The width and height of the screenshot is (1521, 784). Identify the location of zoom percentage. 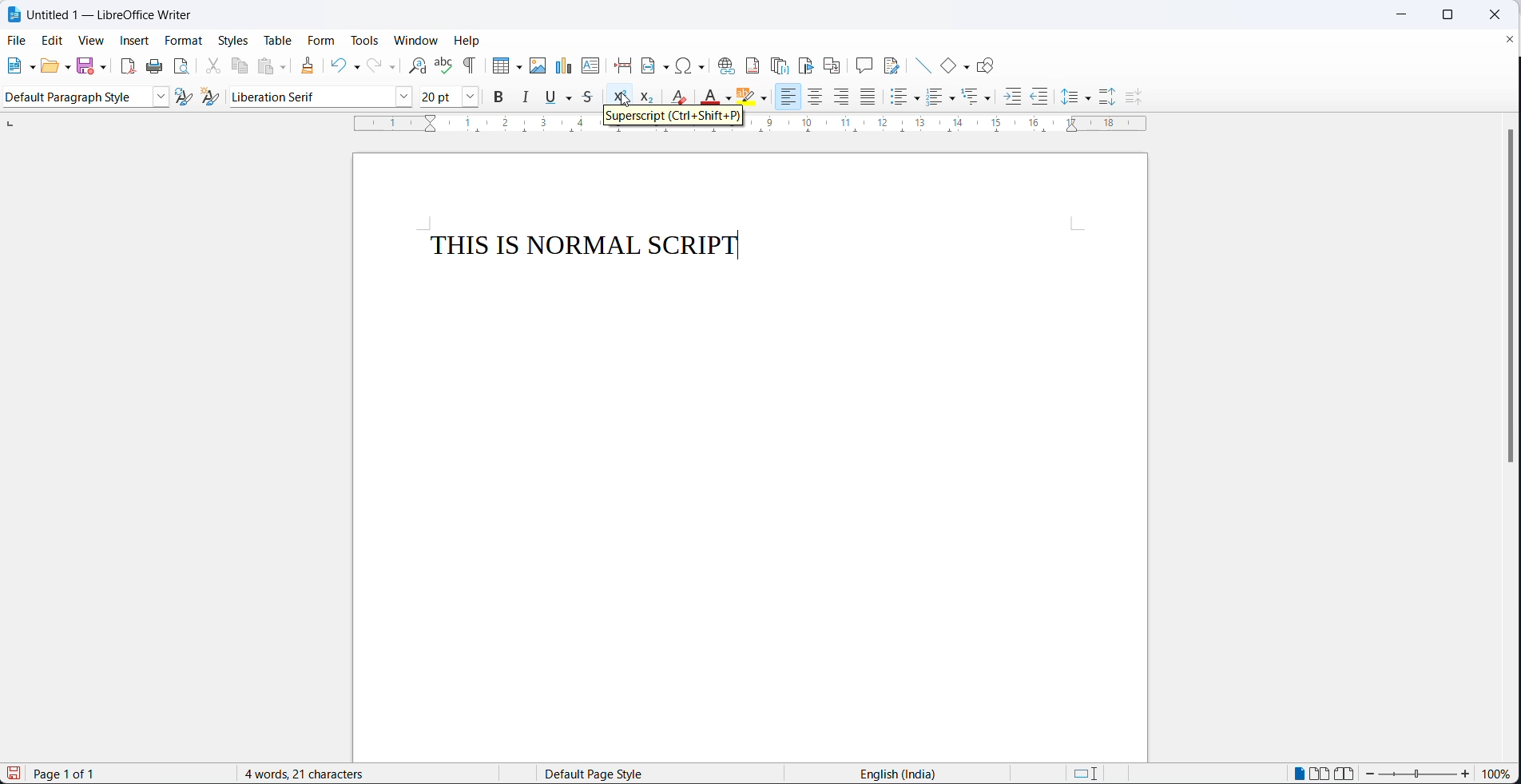
(1497, 775).